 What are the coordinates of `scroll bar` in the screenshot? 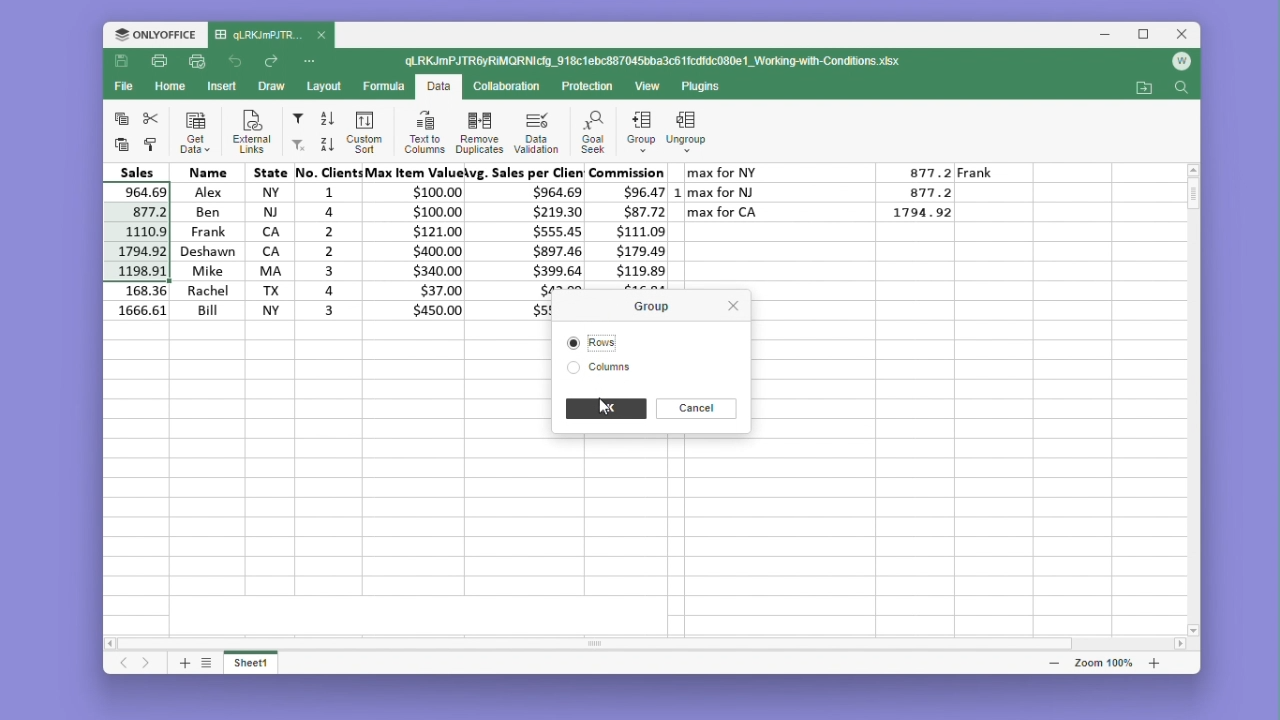 It's located at (624, 642).